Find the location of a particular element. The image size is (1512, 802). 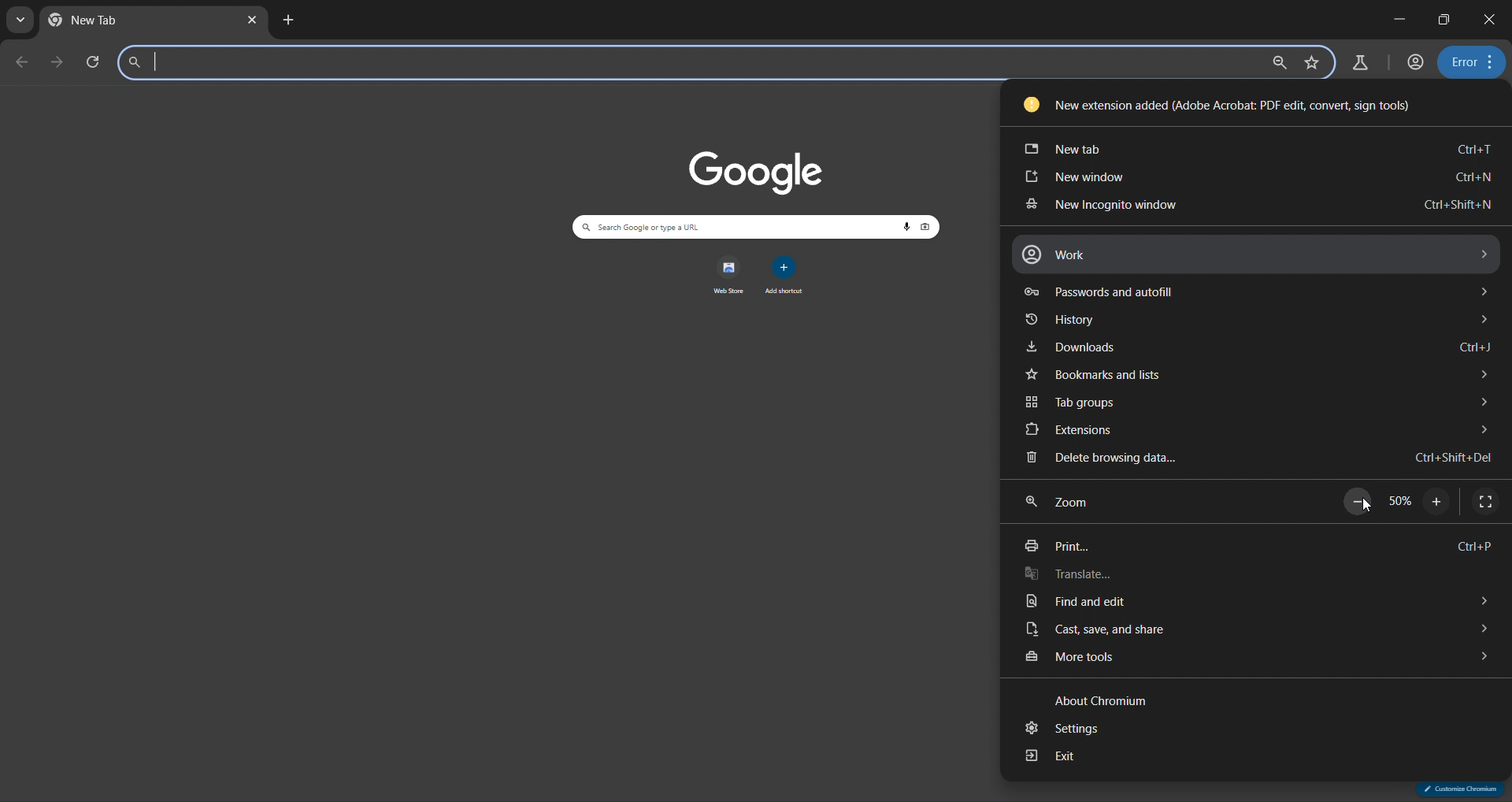

find and edit is located at coordinates (1261, 602).